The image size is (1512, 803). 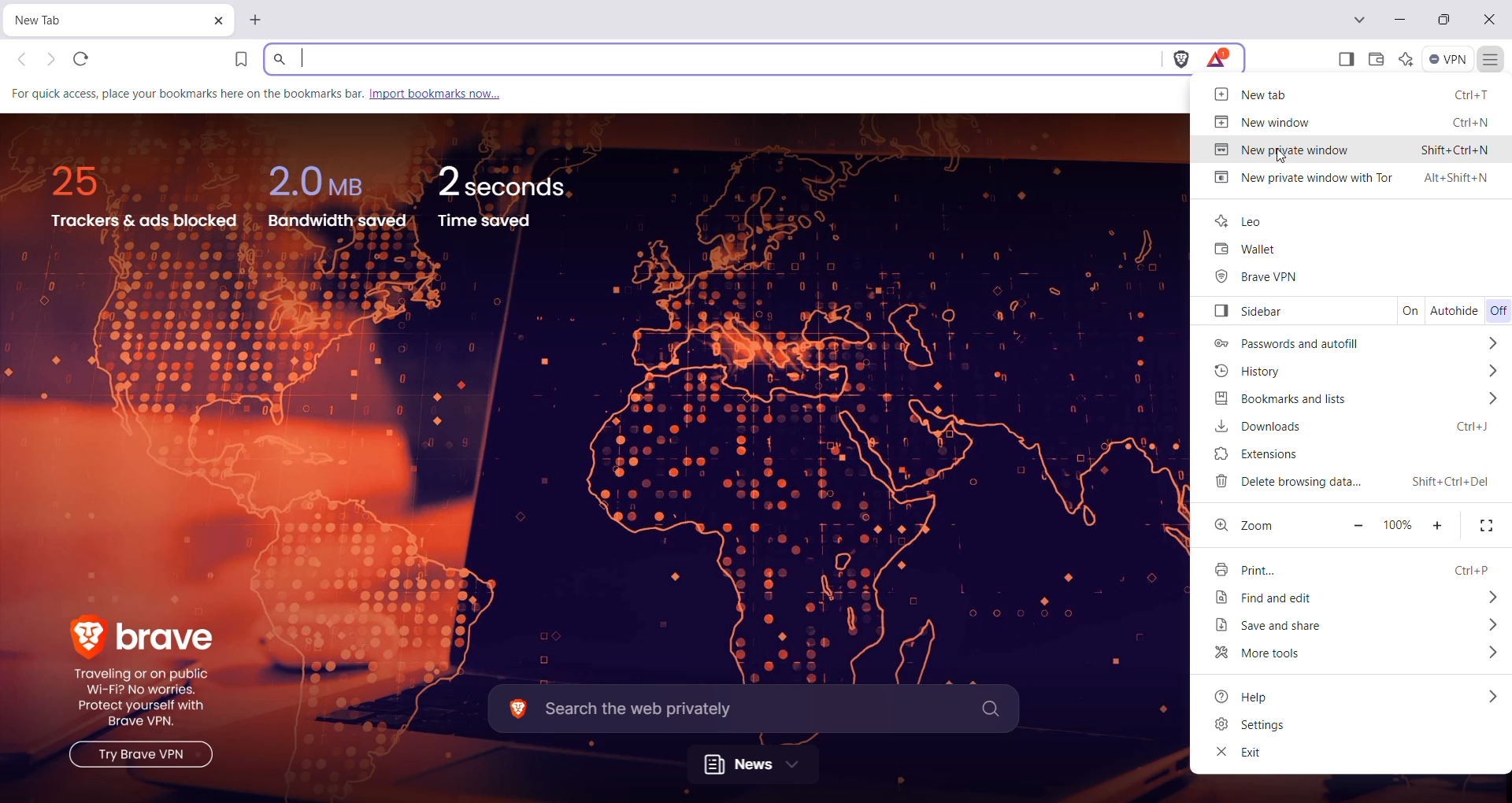 What do you see at coordinates (1247, 250) in the screenshot?
I see `Wallet` at bounding box center [1247, 250].